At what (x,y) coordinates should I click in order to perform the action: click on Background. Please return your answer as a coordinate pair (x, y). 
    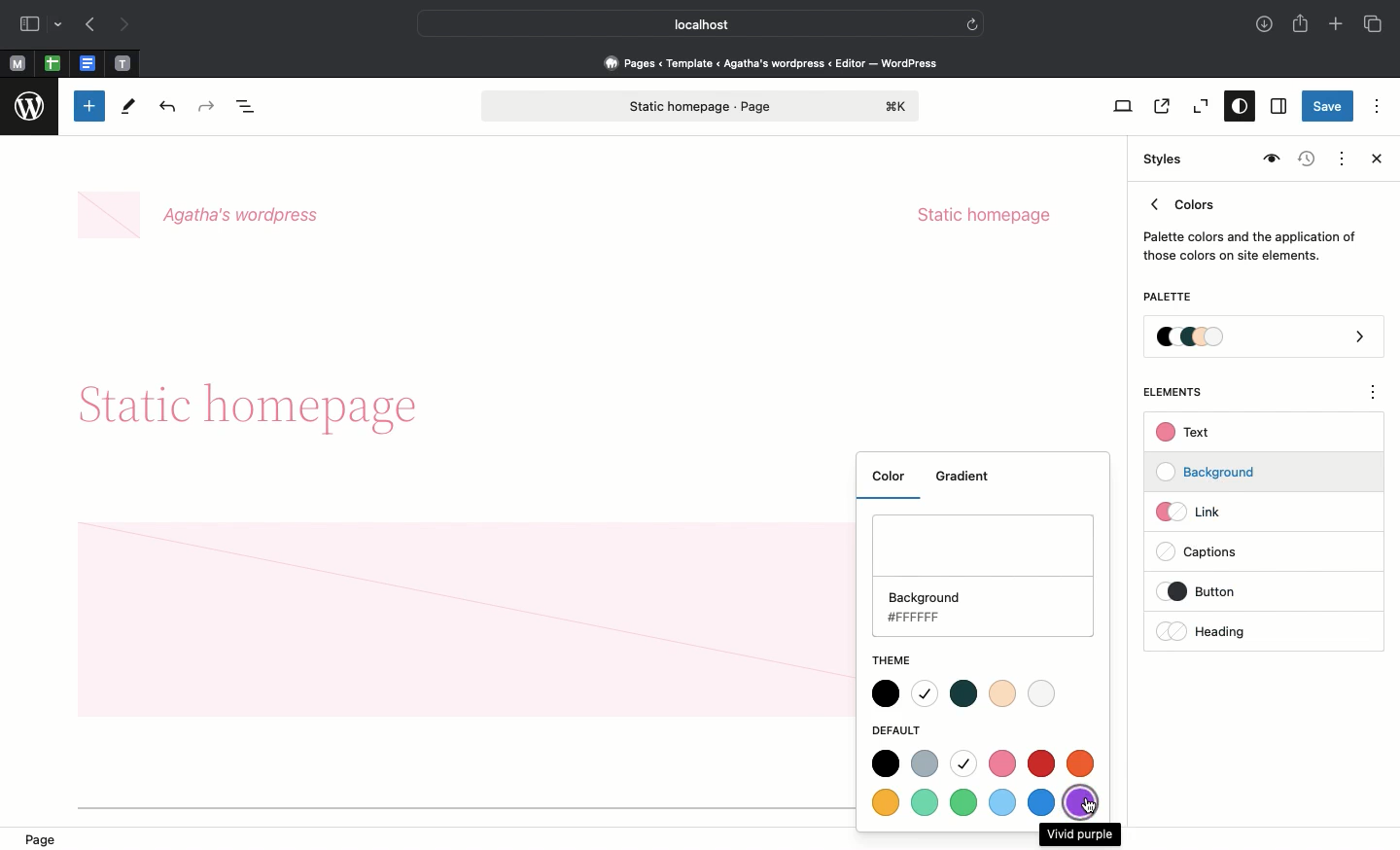
    Looking at the image, I should click on (1215, 473).